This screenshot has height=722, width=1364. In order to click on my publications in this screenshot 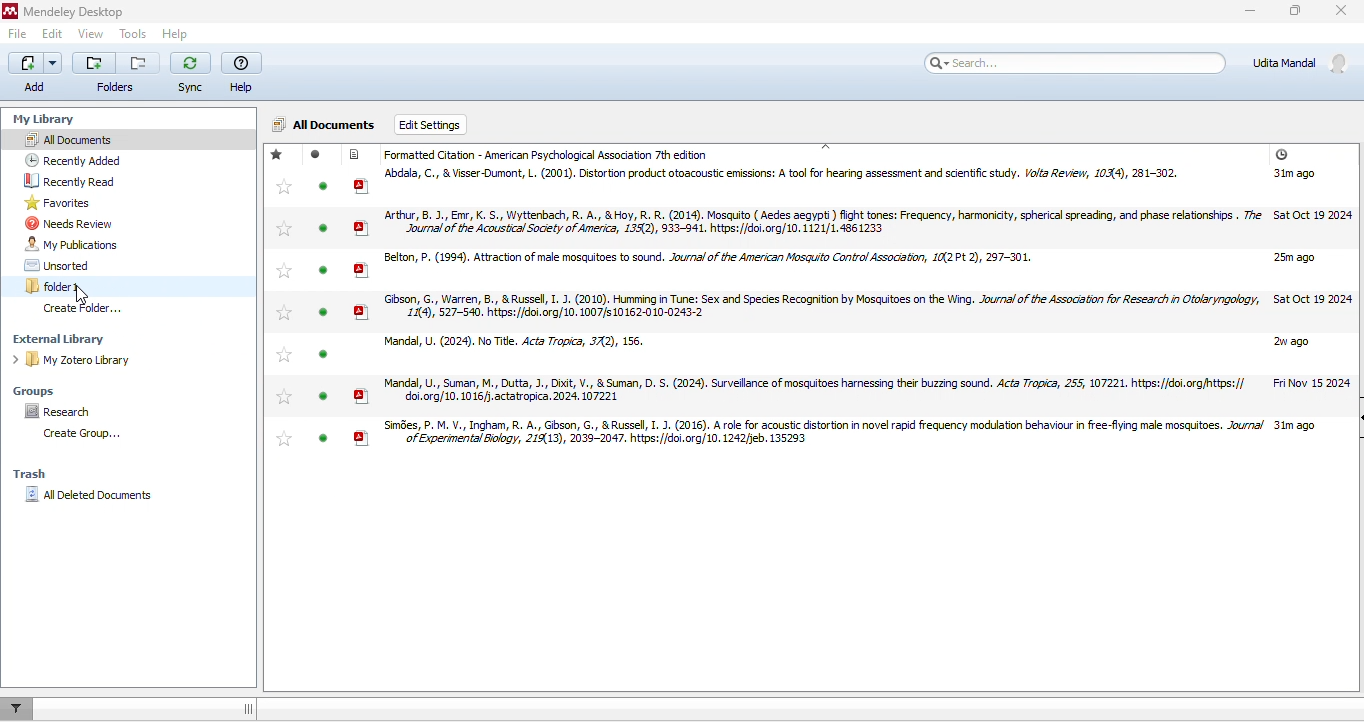, I will do `click(88, 244)`.